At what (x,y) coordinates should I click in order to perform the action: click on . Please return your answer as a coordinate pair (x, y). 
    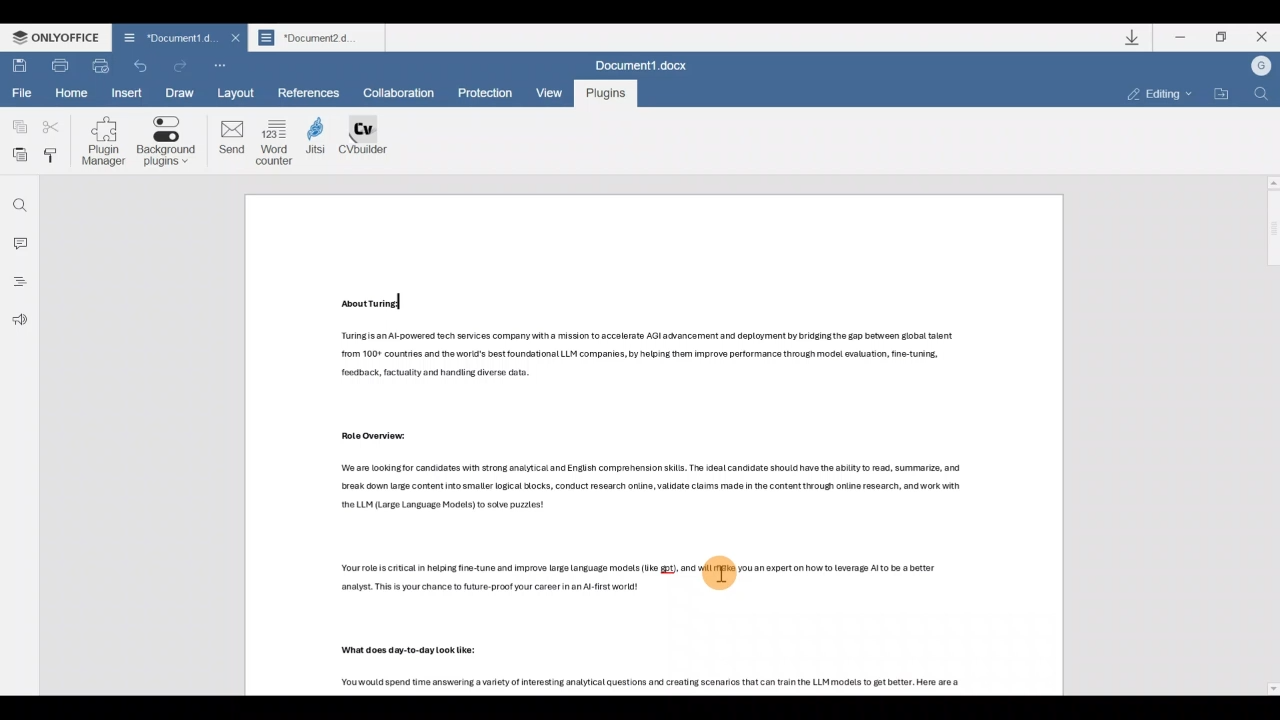
    Looking at the image, I should click on (651, 580).